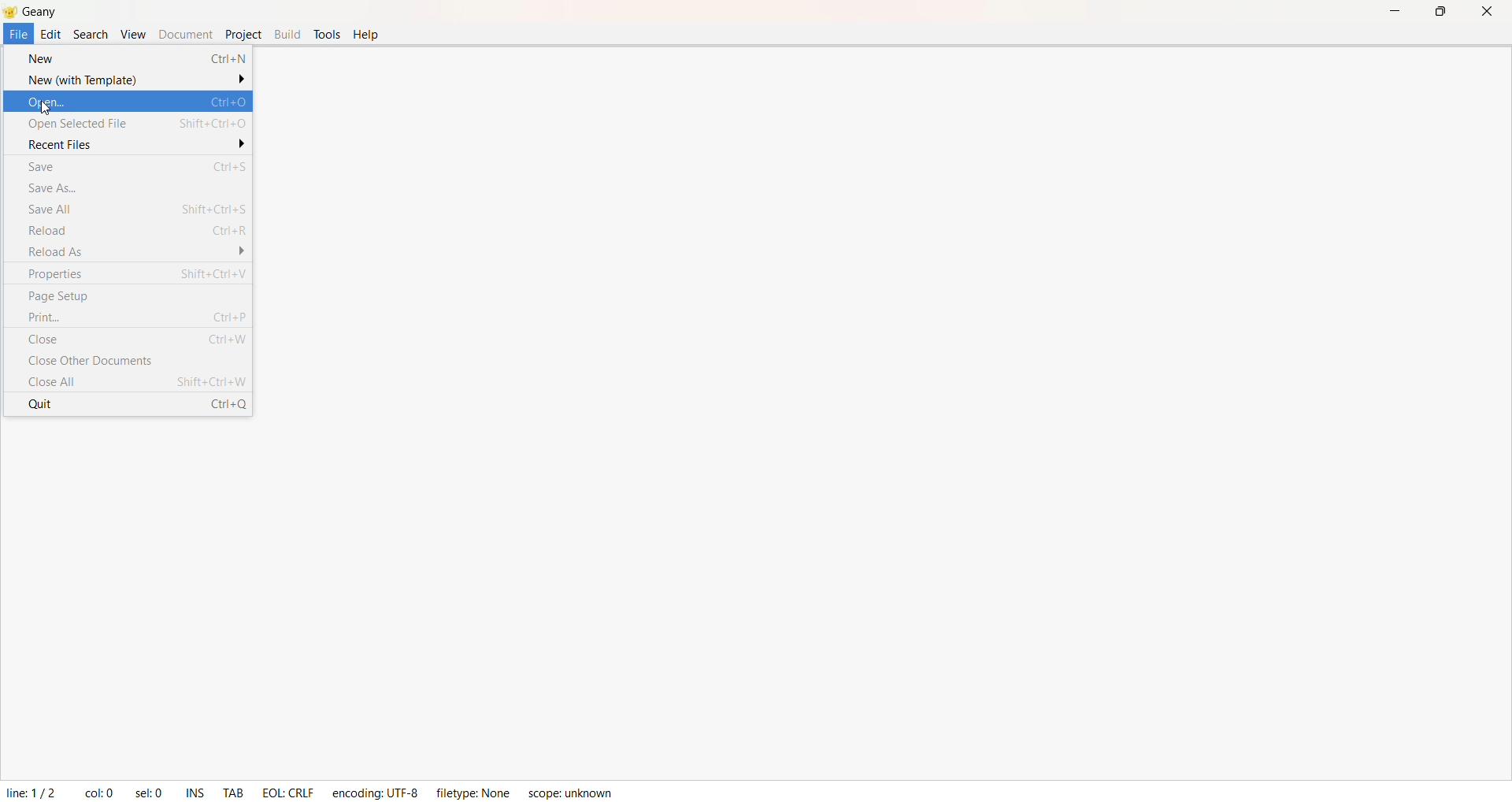 The width and height of the screenshot is (1512, 802). I want to click on EOL : CRLF, so click(285, 793).